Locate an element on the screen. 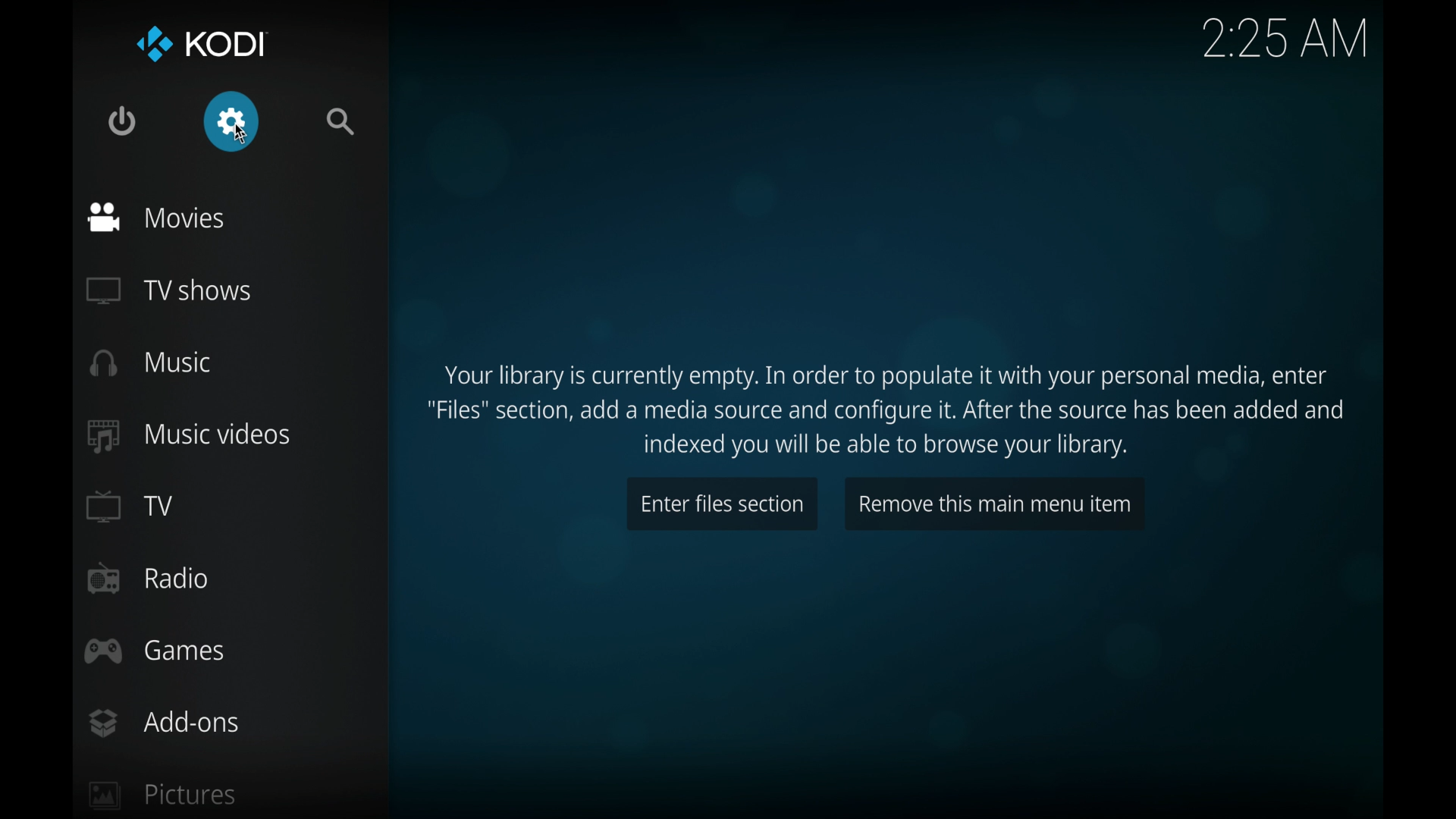 This screenshot has width=1456, height=819. enter files section is located at coordinates (720, 502).